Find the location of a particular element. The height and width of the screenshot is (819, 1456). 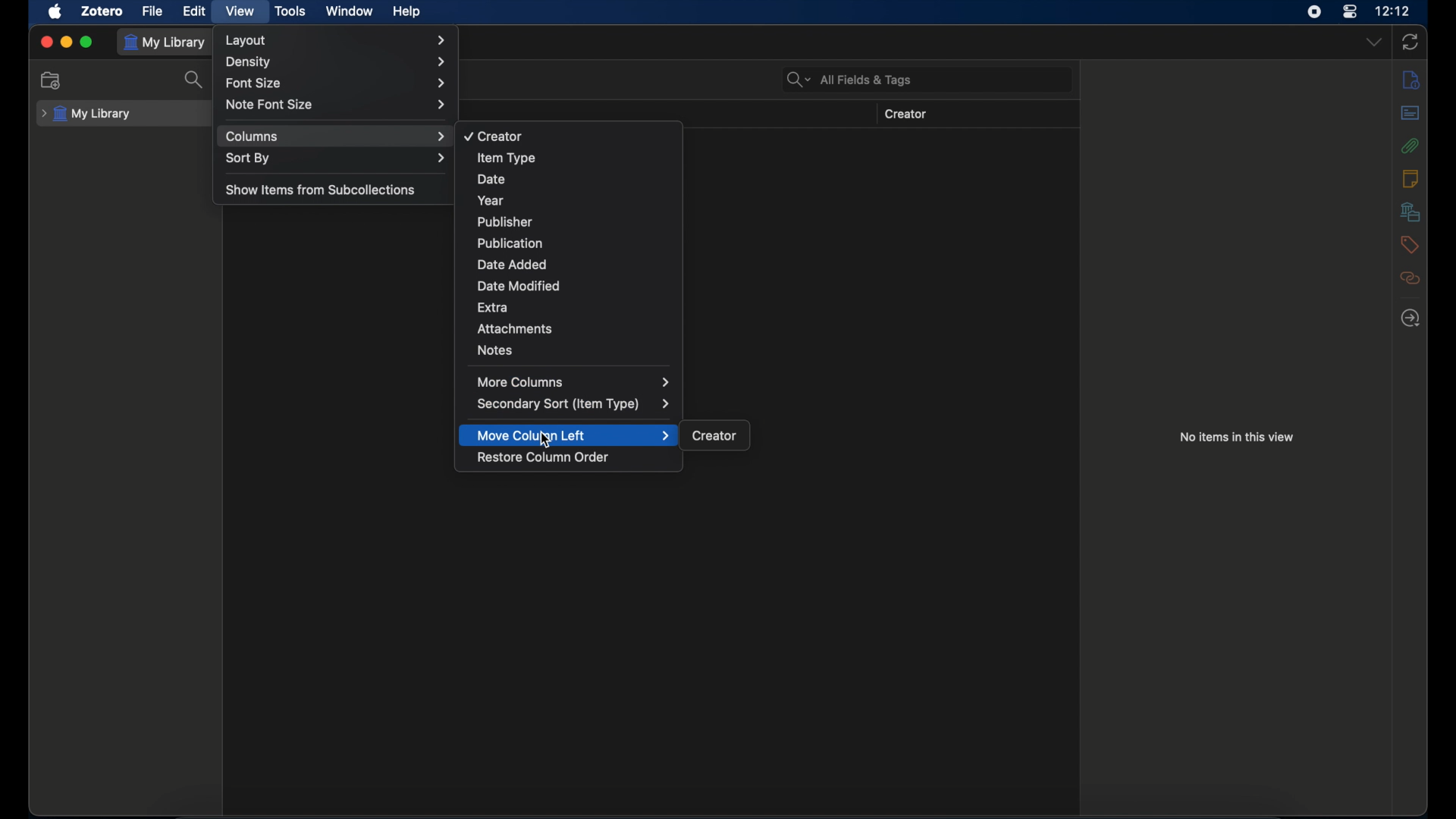

publisher is located at coordinates (504, 222).